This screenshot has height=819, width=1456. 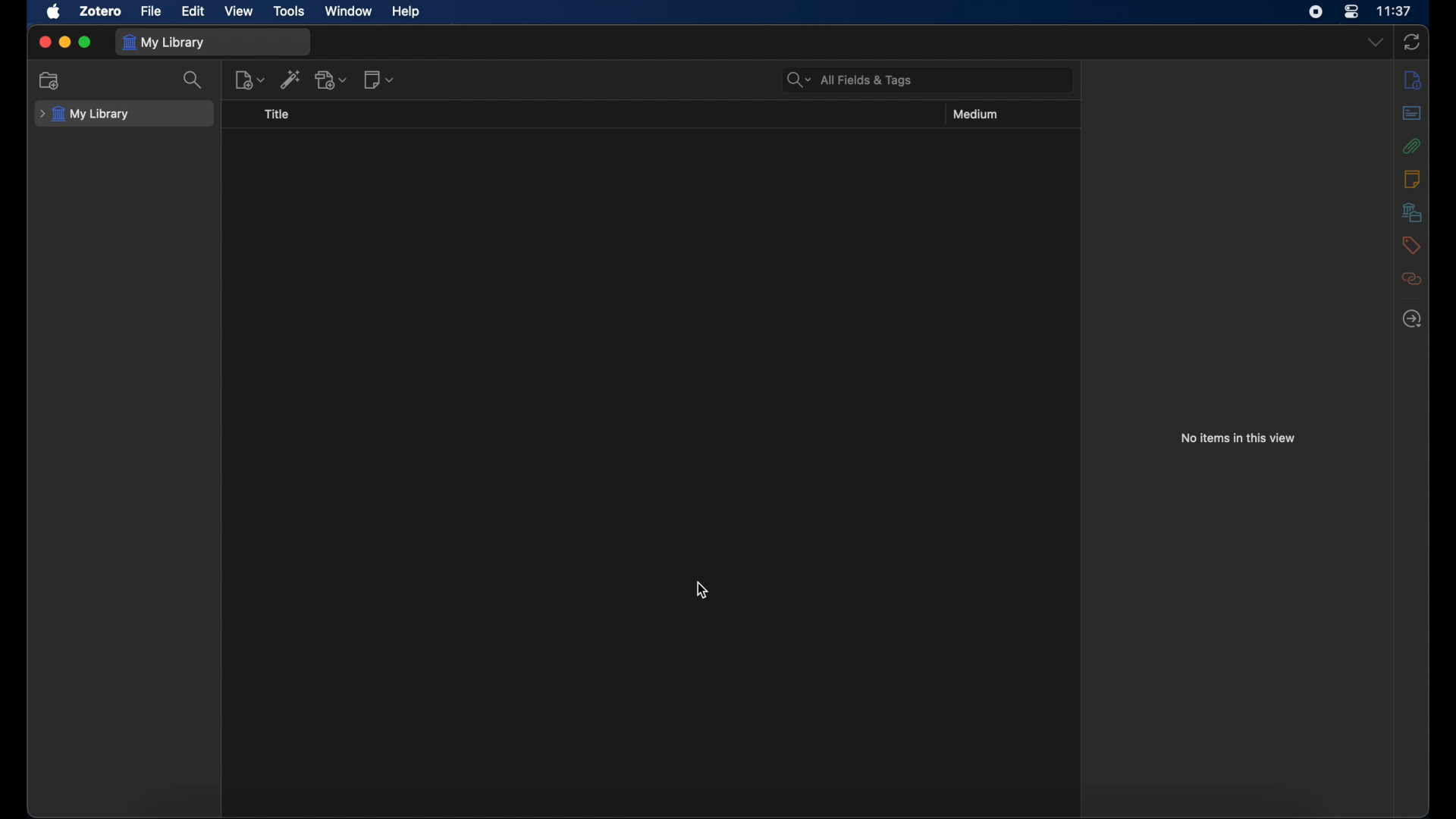 I want to click on notes, so click(x=1411, y=177).